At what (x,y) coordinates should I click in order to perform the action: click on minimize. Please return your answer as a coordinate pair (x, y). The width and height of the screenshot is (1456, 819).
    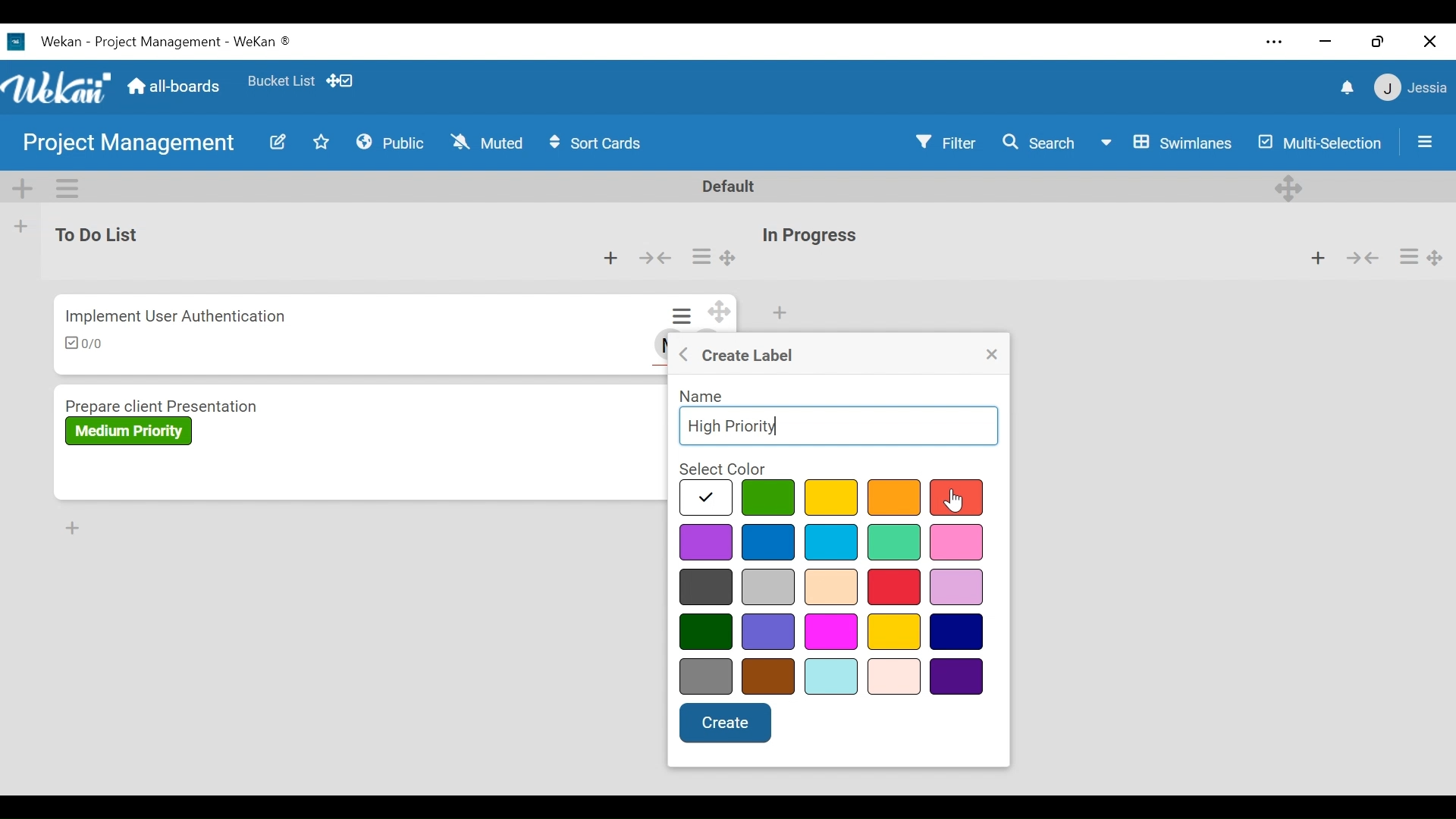
    Looking at the image, I should click on (1323, 41).